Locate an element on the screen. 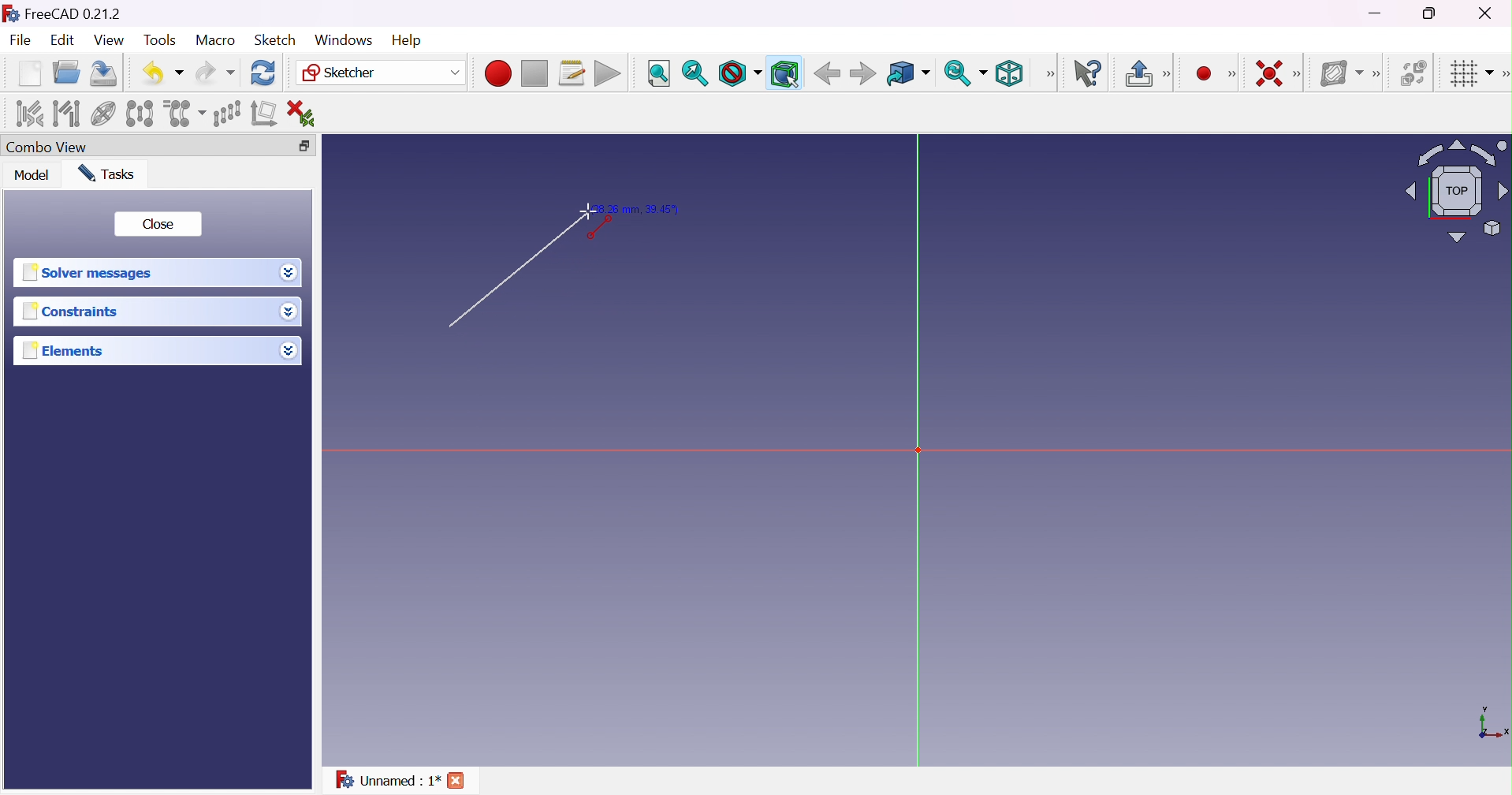 The width and height of the screenshot is (1512, 795). Constrain coincident is located at coordinates (1267, 73).